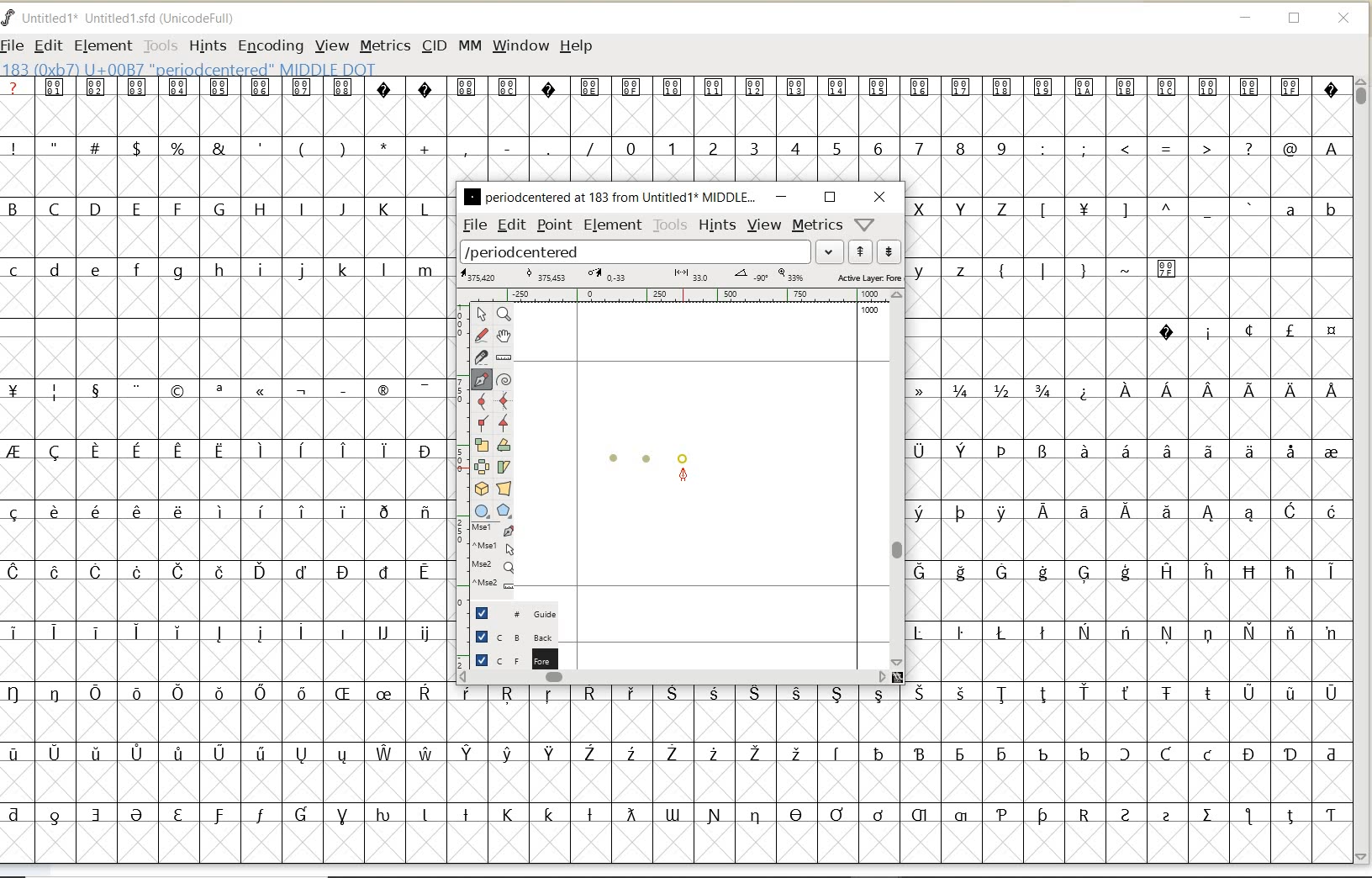 The height and width of the screenshot is (878, 1372). I want to click on Magnify, so click(504, 315).